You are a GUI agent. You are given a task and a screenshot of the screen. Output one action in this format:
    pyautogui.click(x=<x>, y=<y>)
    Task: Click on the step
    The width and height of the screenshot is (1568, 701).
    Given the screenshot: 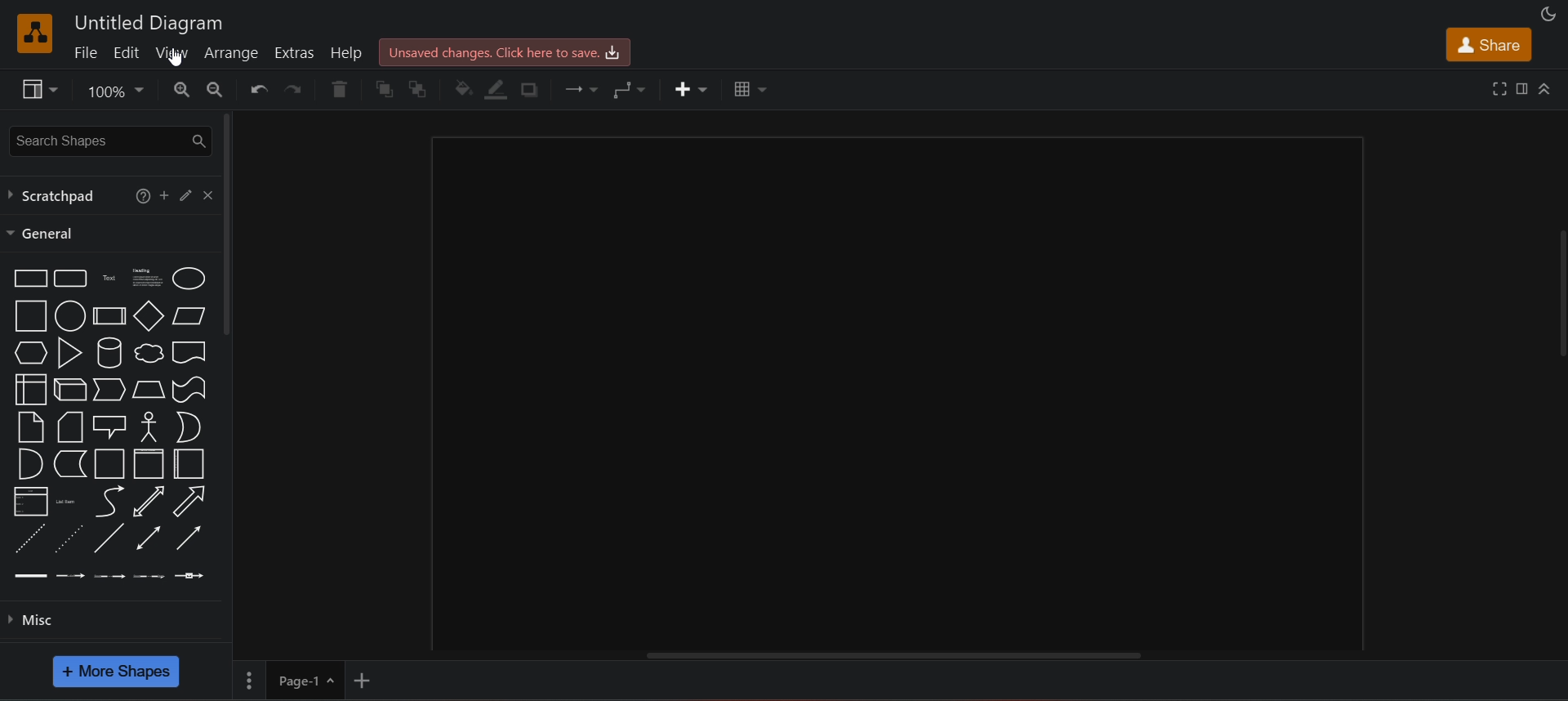 What is the action you would take?
    pyautogui.click(x=109, y=388)
    